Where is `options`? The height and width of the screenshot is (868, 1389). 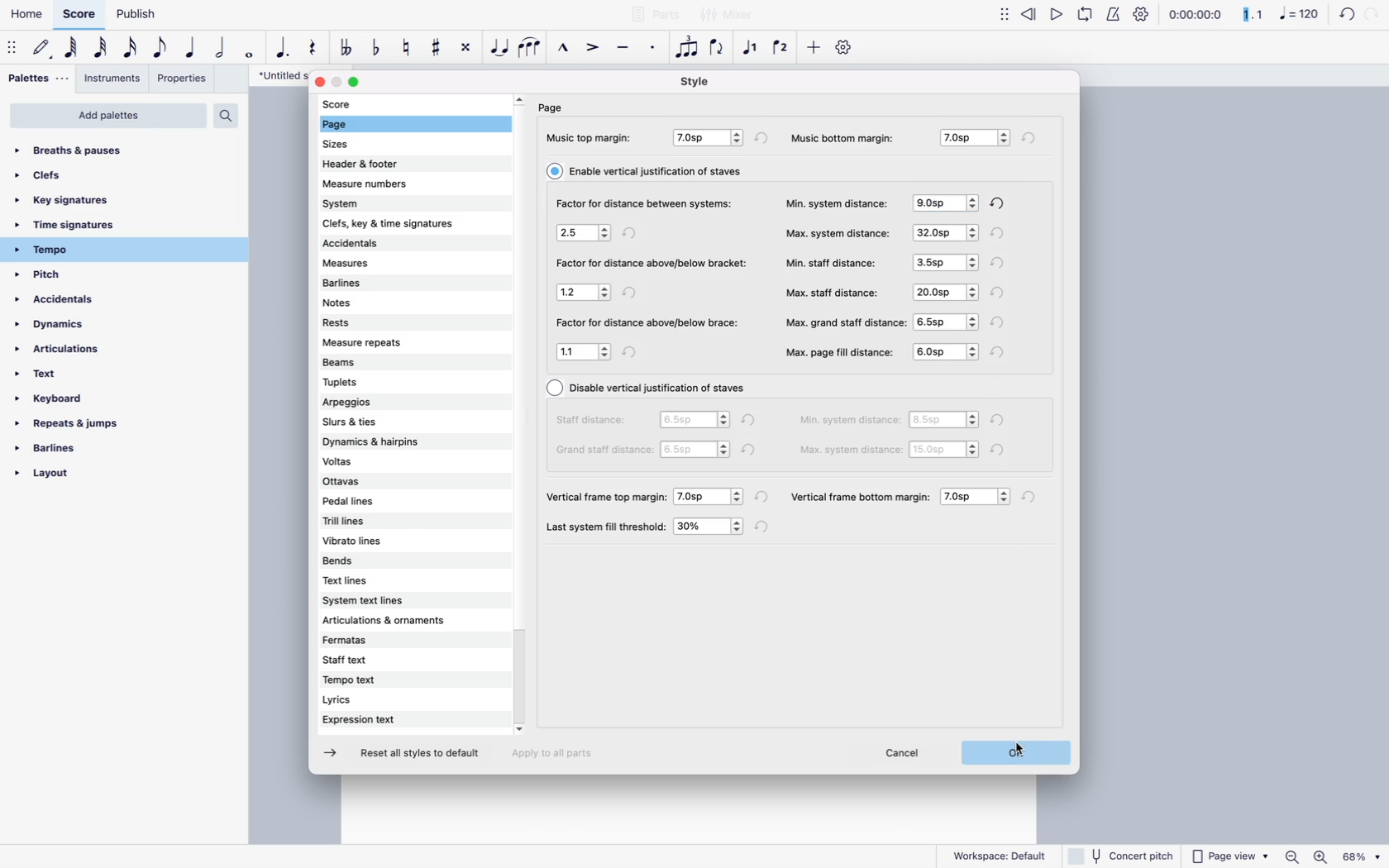 options is located at coordinates (710, 527).